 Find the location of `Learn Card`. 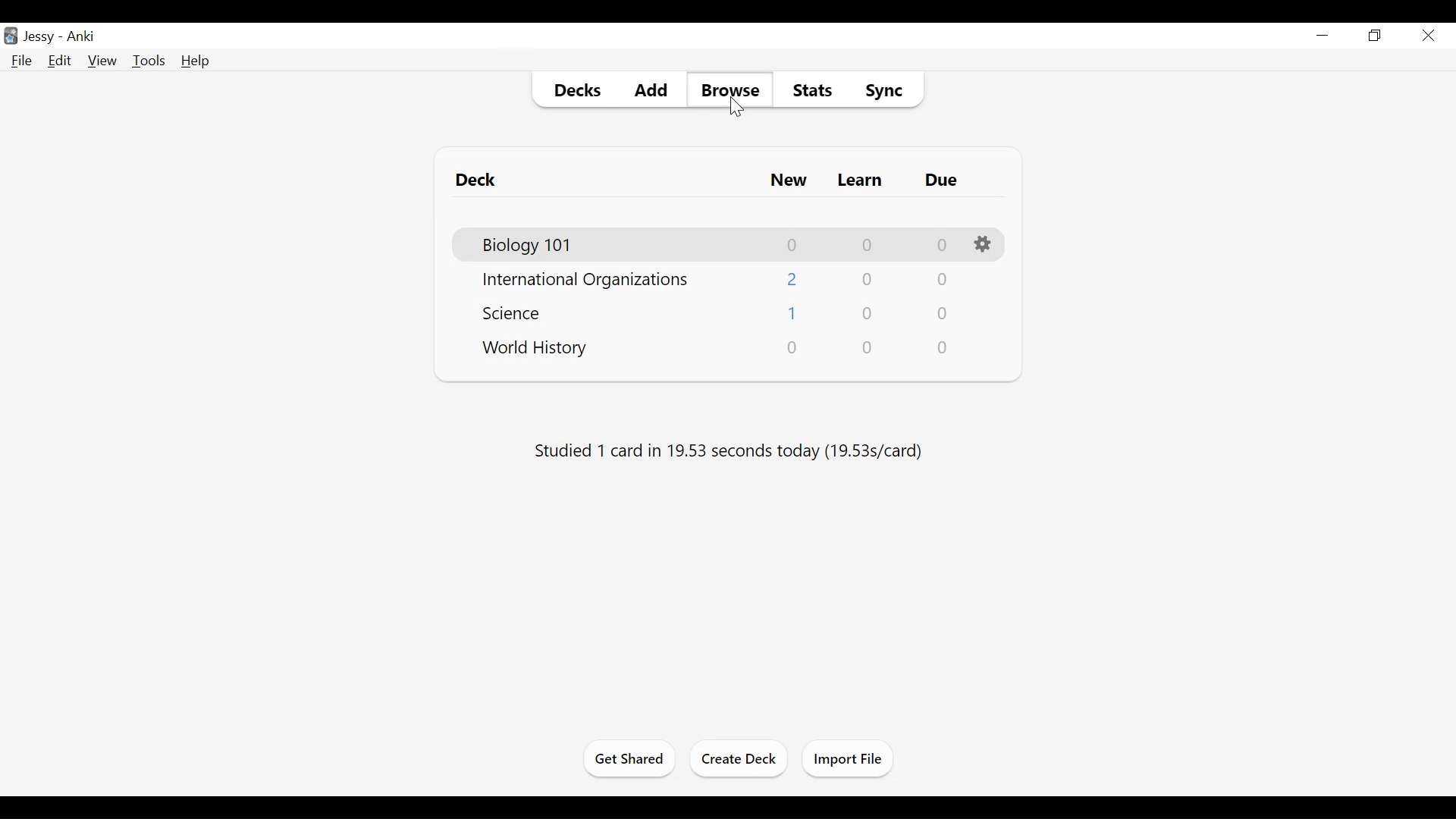

Learn Card is located at coordinates (859, 180).